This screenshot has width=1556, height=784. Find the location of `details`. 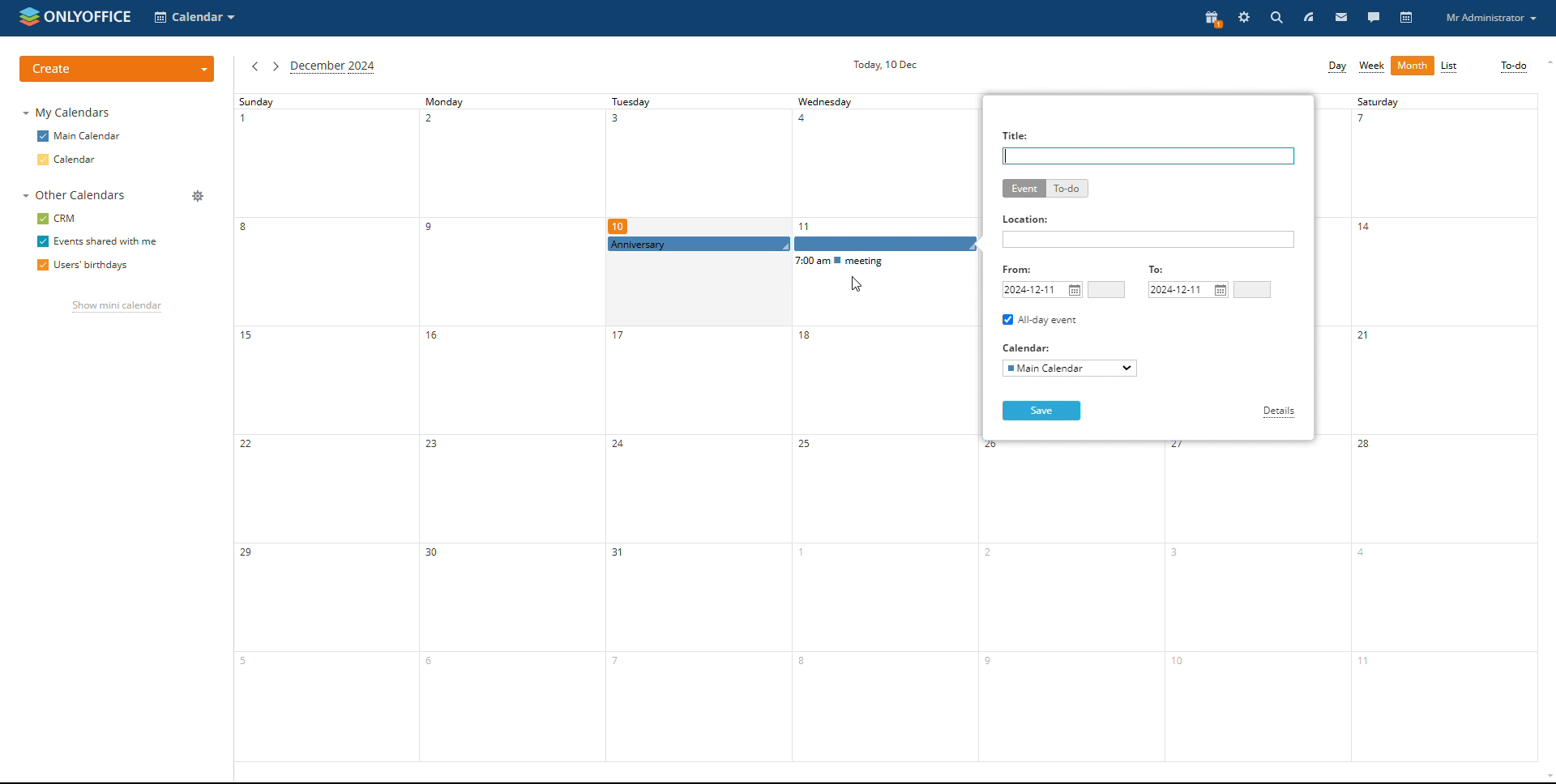

details is located at coordinates (1280, 412).